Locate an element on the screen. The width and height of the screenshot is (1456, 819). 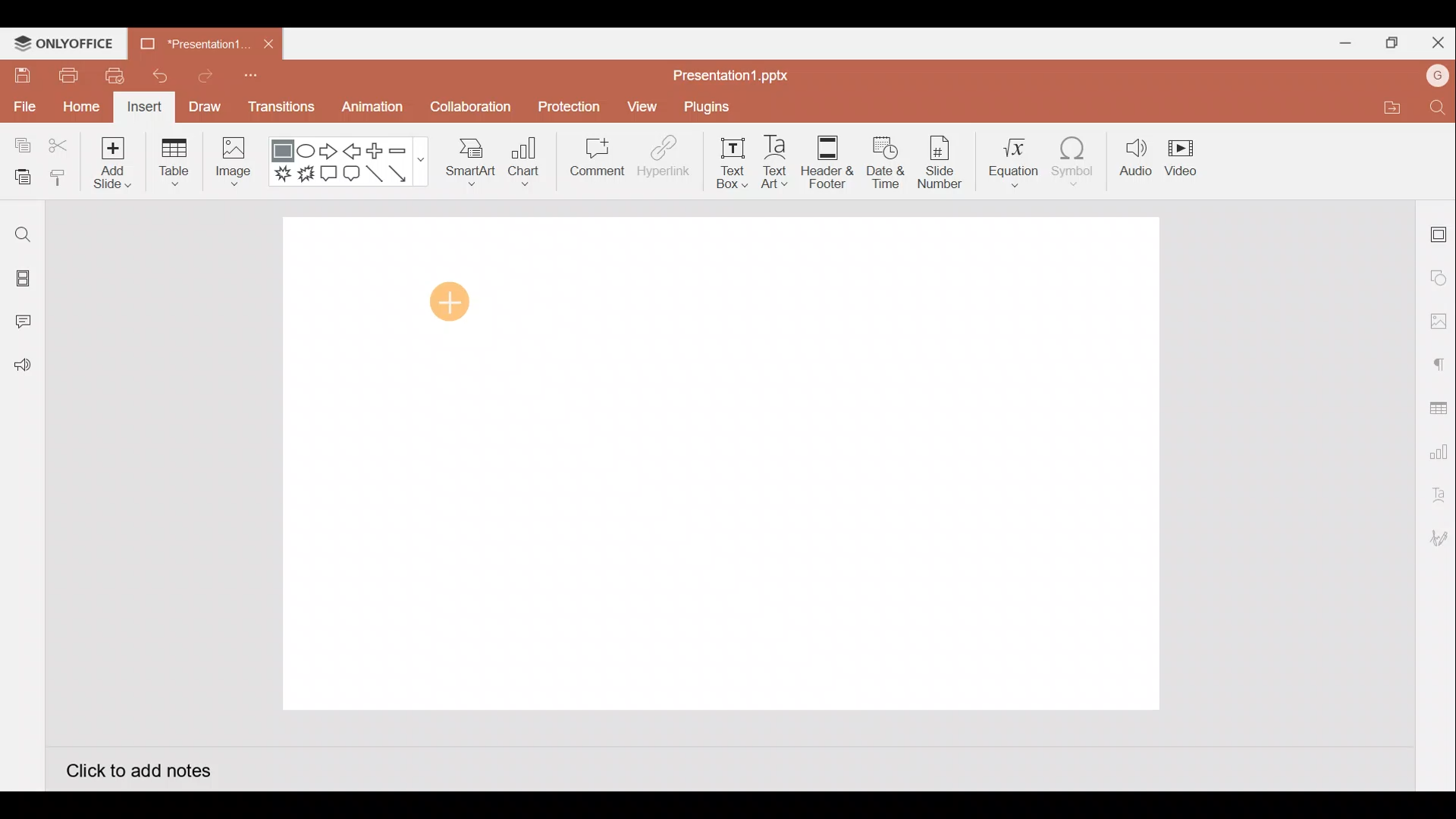
Rectangle is located at coordinates (284, 152).